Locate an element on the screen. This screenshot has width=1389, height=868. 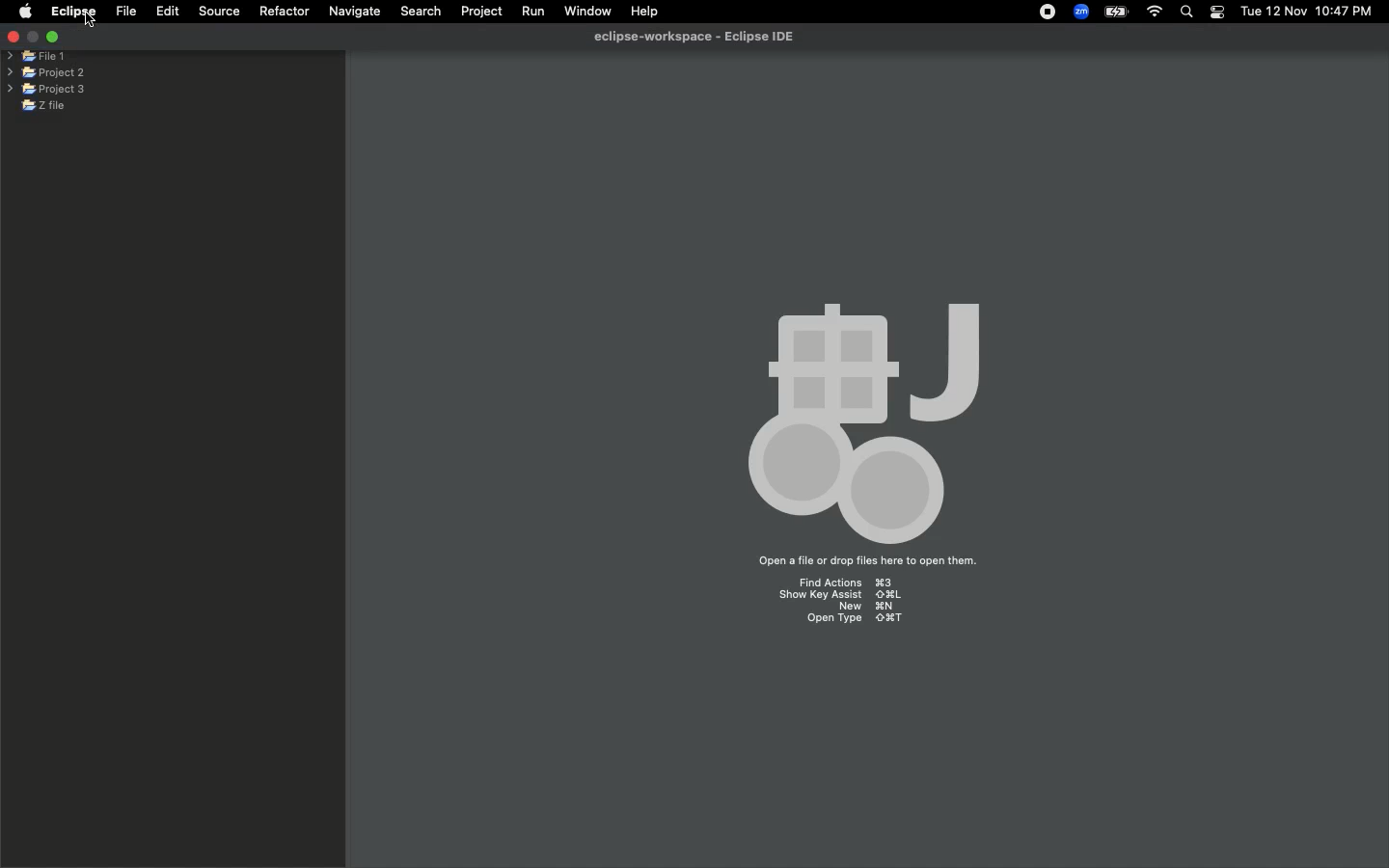
Notification bar is located at coordinates (1216, 14).